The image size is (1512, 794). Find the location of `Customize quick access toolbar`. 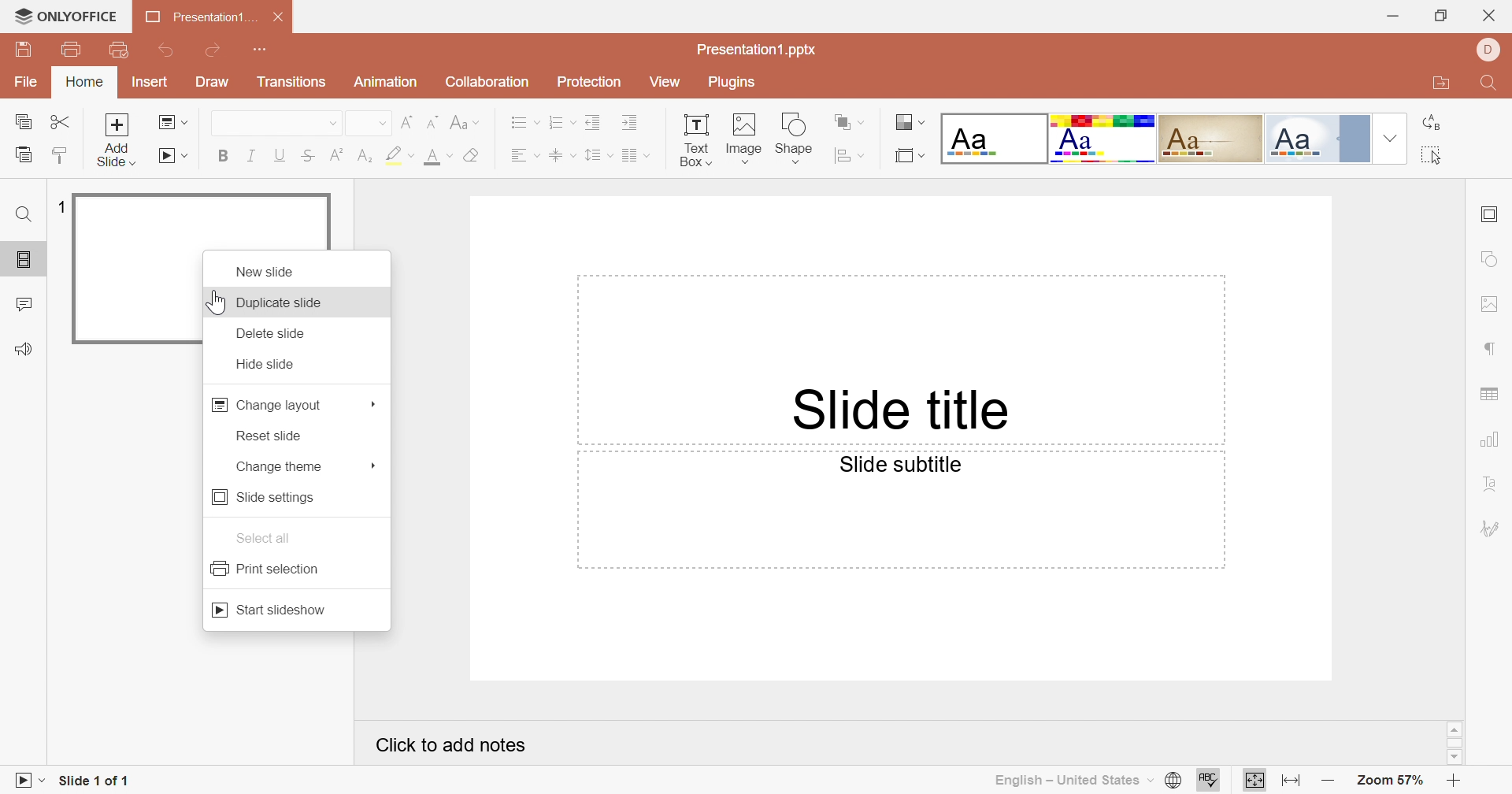

Customize quick access toolbar is located at coordinates (268, 49).